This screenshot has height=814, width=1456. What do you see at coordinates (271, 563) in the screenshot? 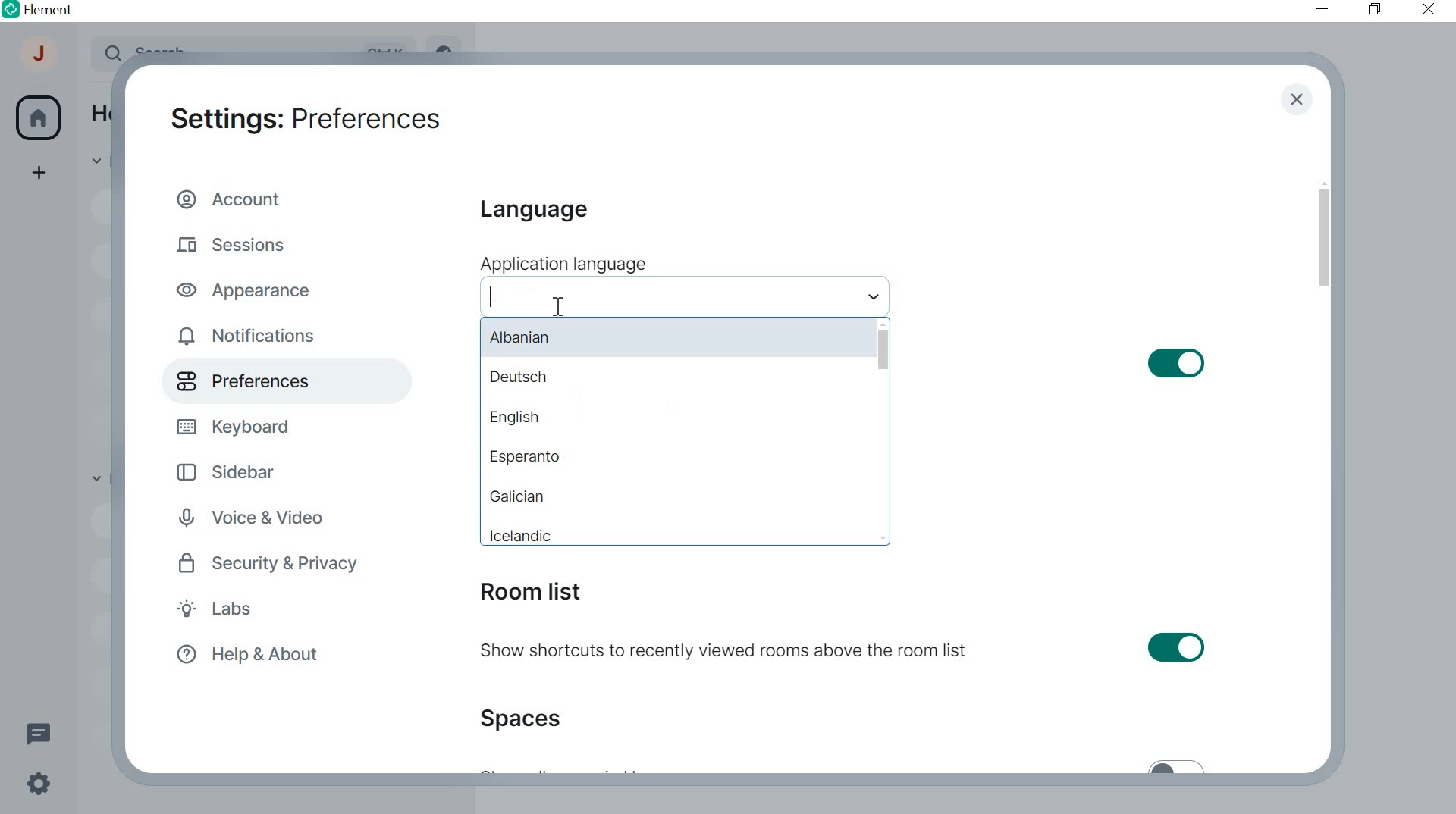
I see `SECURITY & PRIVACY` at bounding box center [271, 563].